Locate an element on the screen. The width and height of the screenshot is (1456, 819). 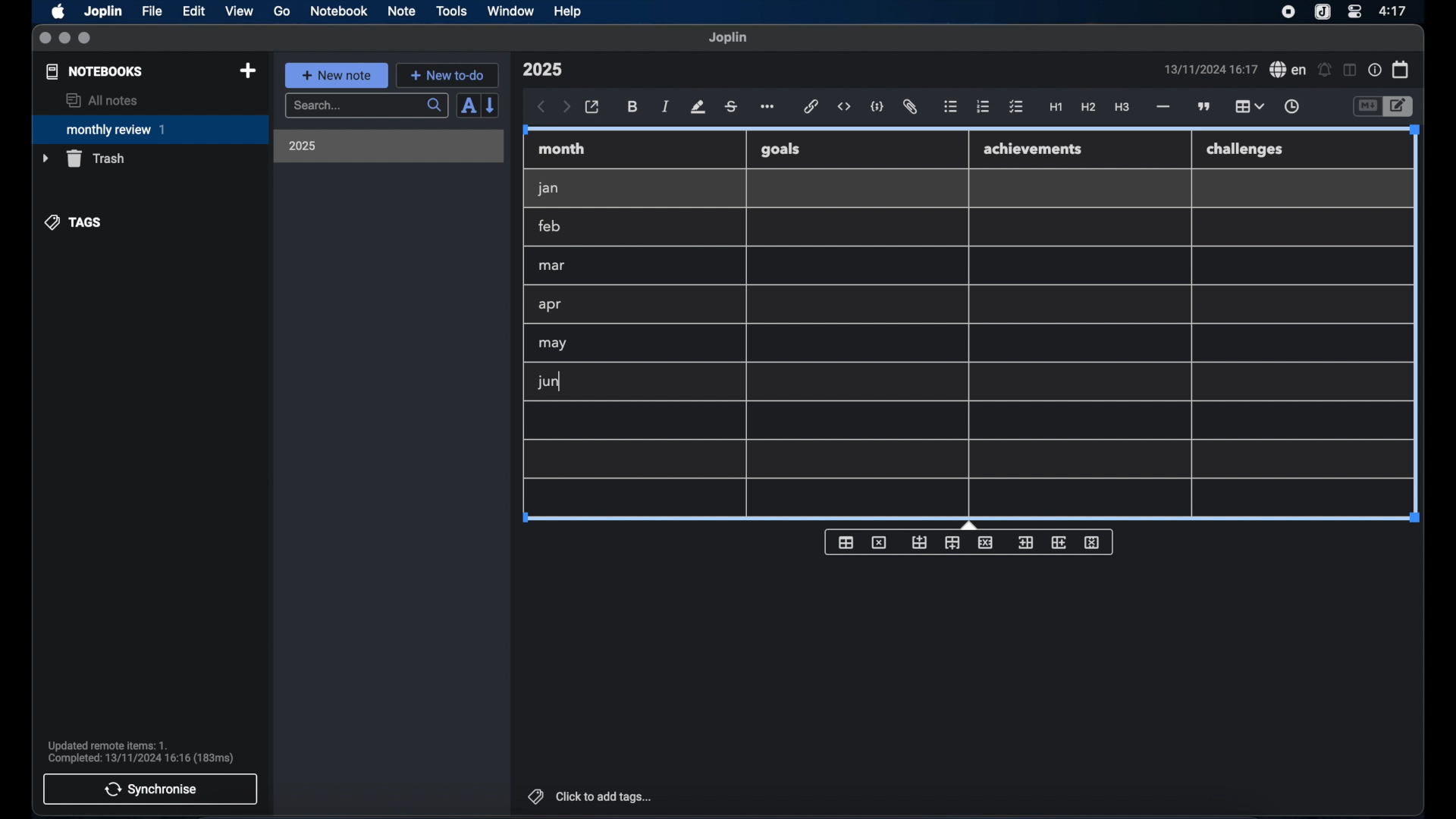
more options is located at coordinates (769, 108).